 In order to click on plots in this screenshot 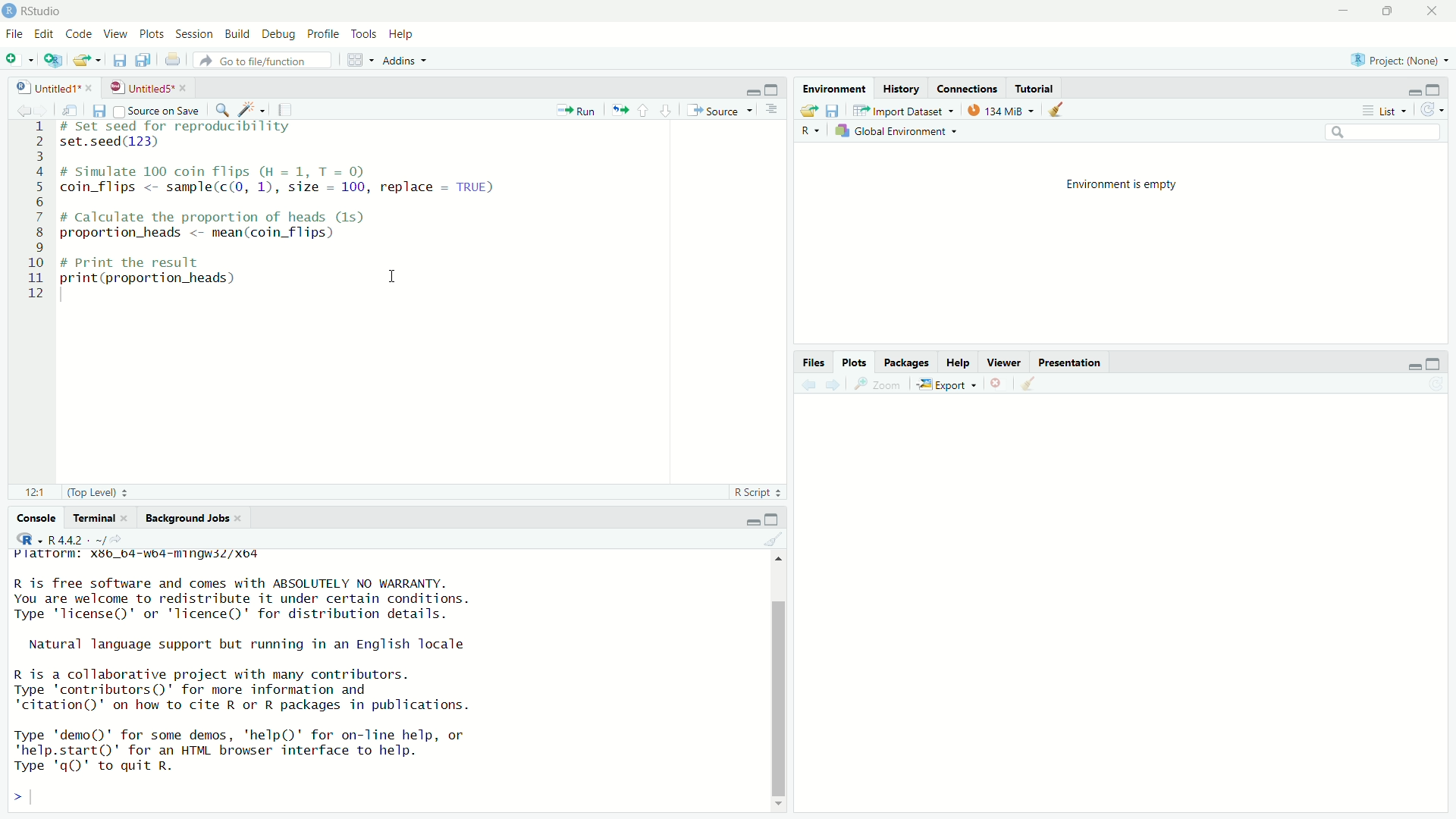, I will do `click(150, 34)`.